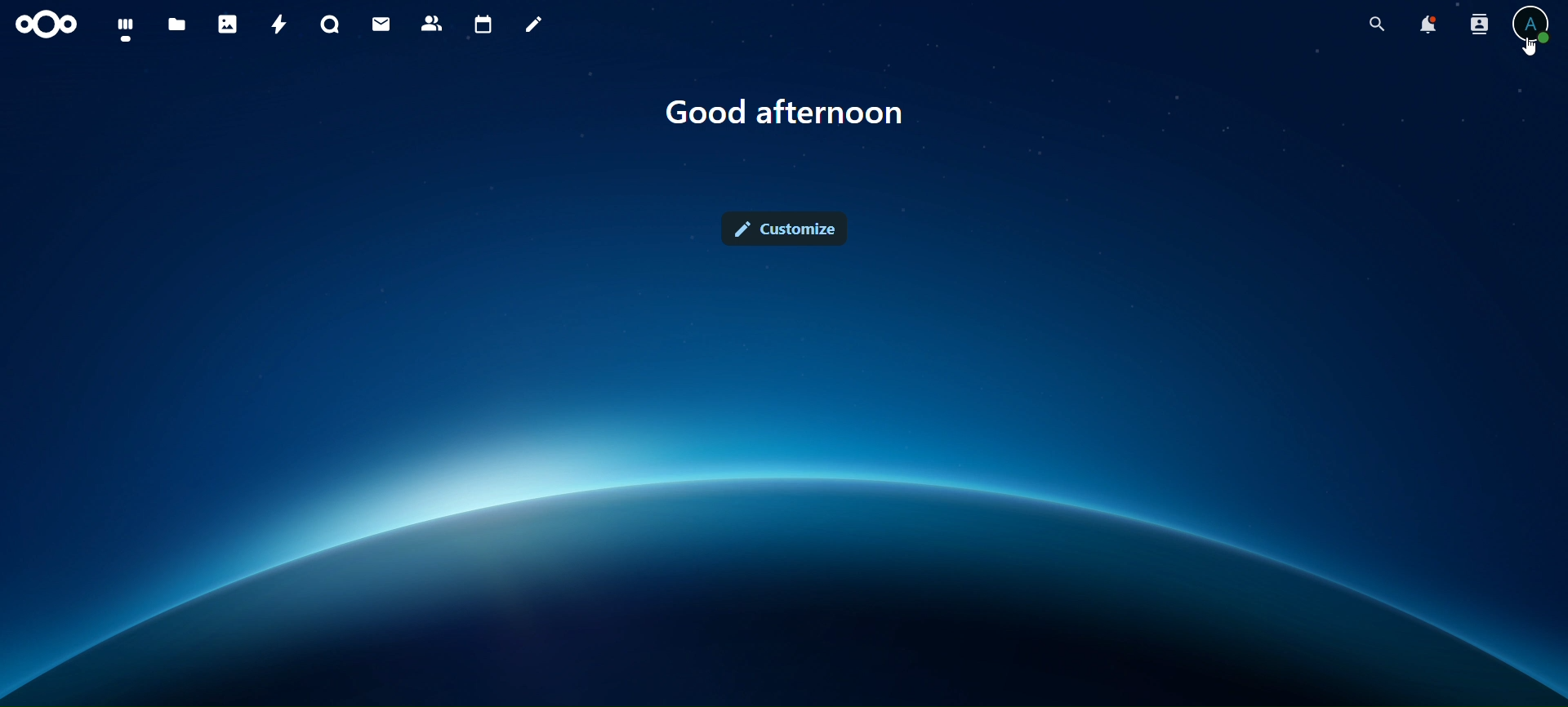 The image size is (1568, 707). What do you see at coordinates (44, 26) in the screenshot?
I see `icon` at bounding box center [44, 26].